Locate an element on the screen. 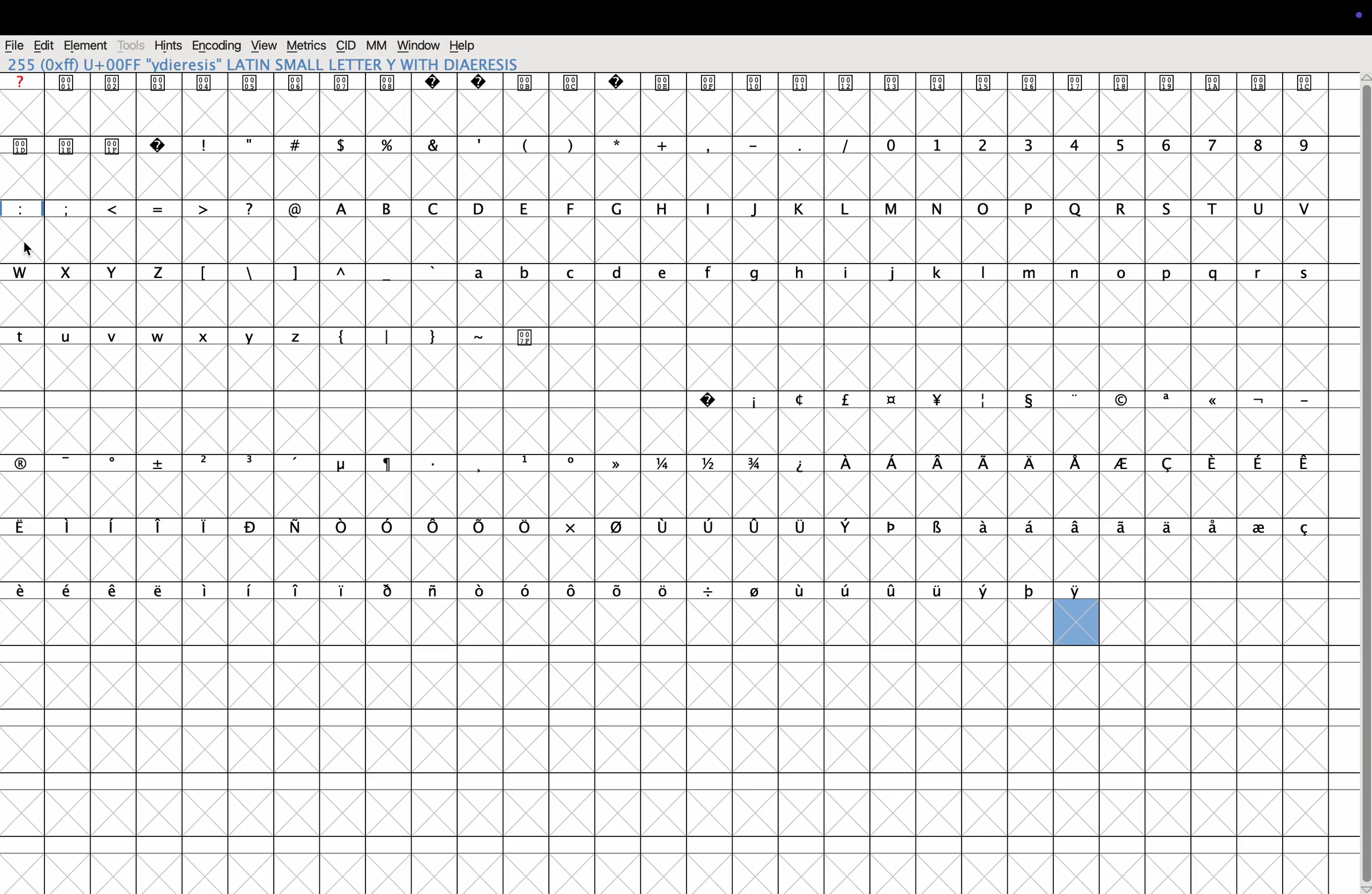 The height and width of the screenshot is (894, 1372). h is located at coordinates (802, 295).